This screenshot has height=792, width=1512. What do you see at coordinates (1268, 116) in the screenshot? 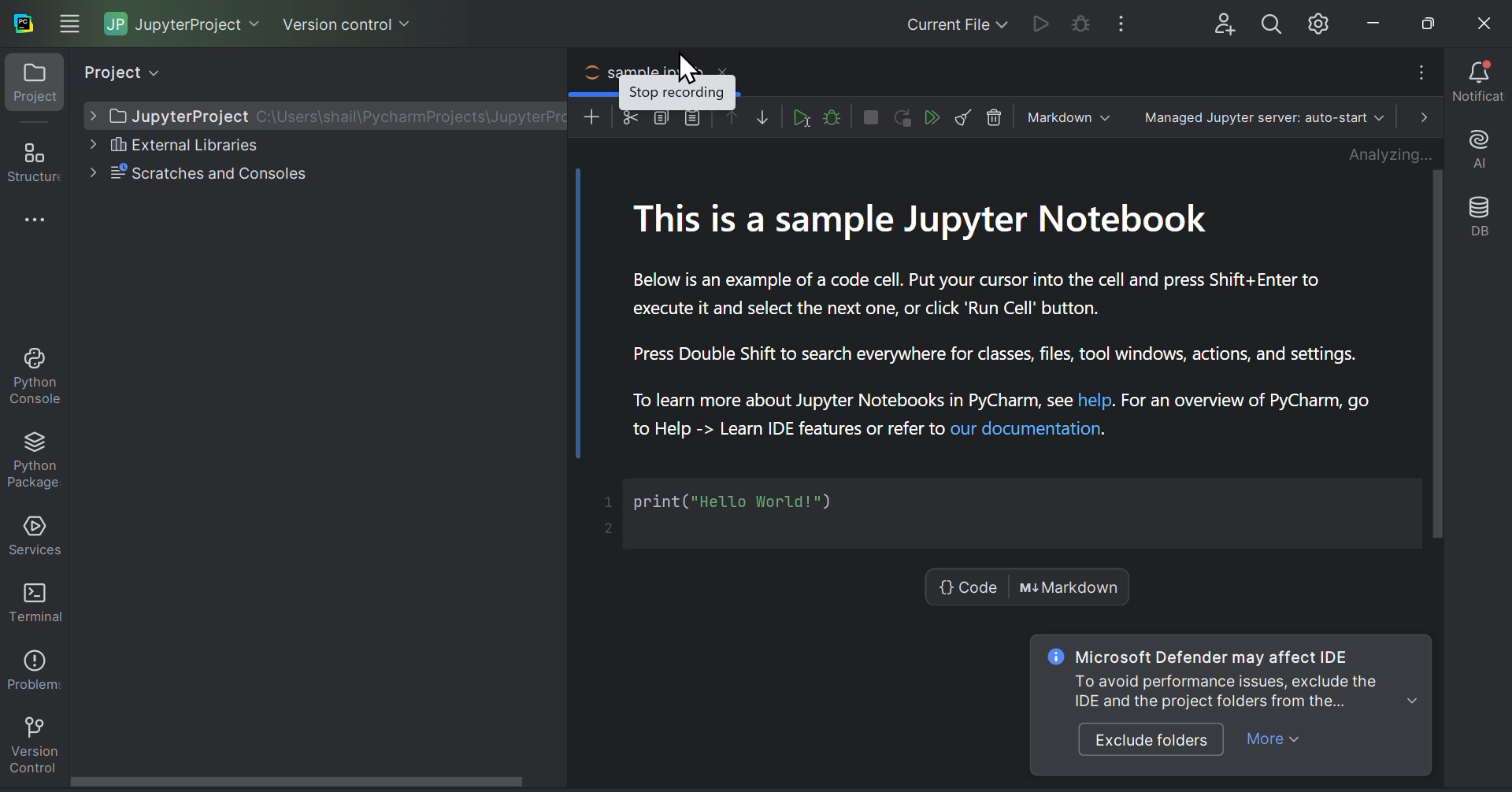
I see `managed Jupyter server:auto start` at bounding box center [1268, 116].